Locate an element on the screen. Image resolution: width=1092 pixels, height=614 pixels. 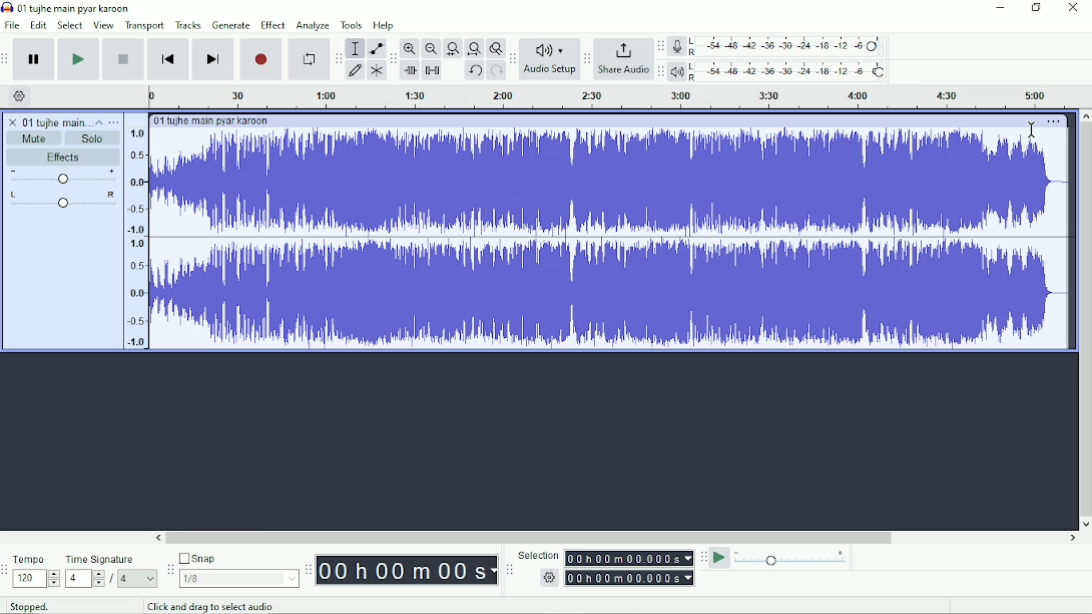
Share Audio is located at coordinates (624, 58).